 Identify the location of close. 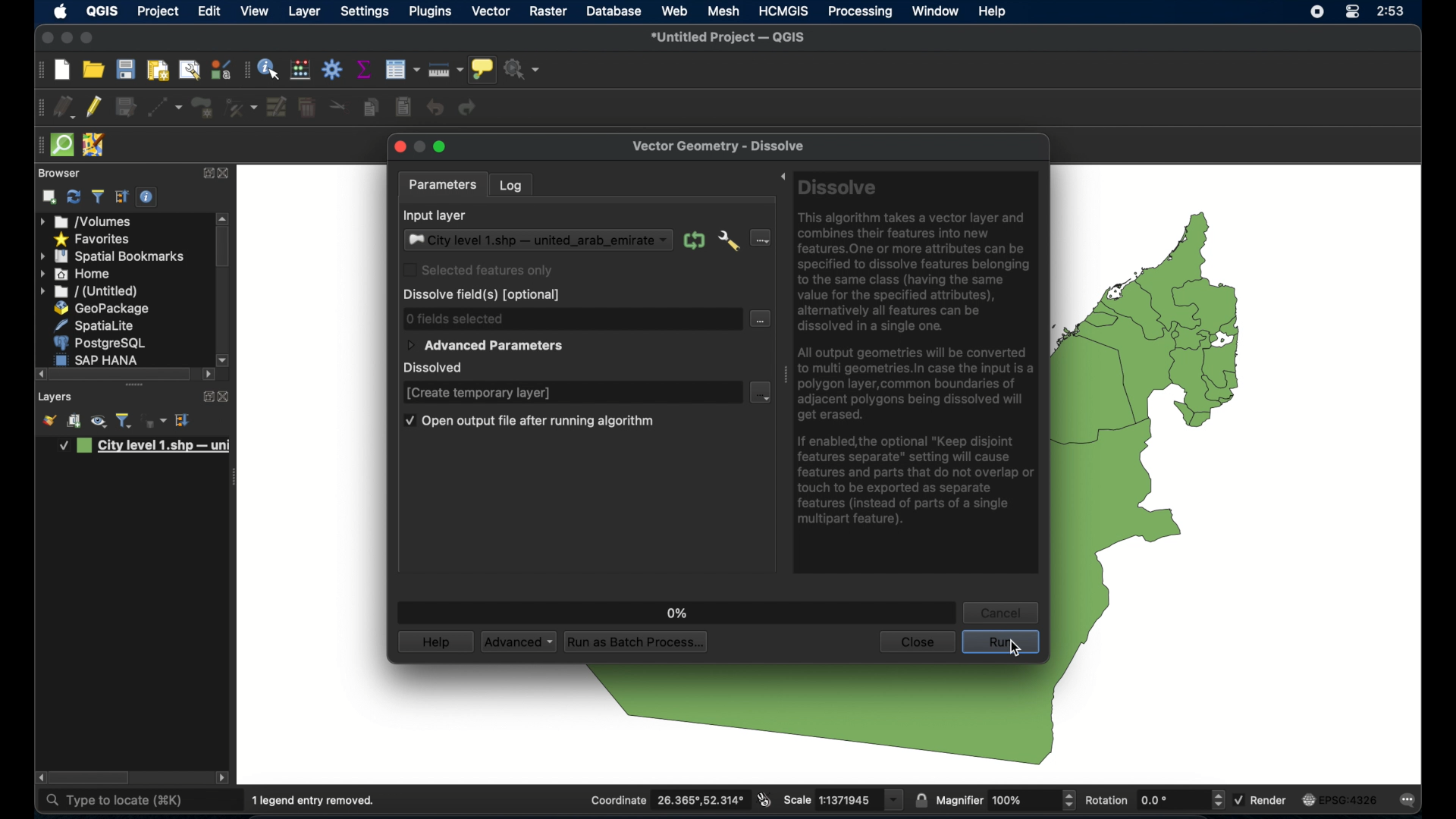
(225, 174).